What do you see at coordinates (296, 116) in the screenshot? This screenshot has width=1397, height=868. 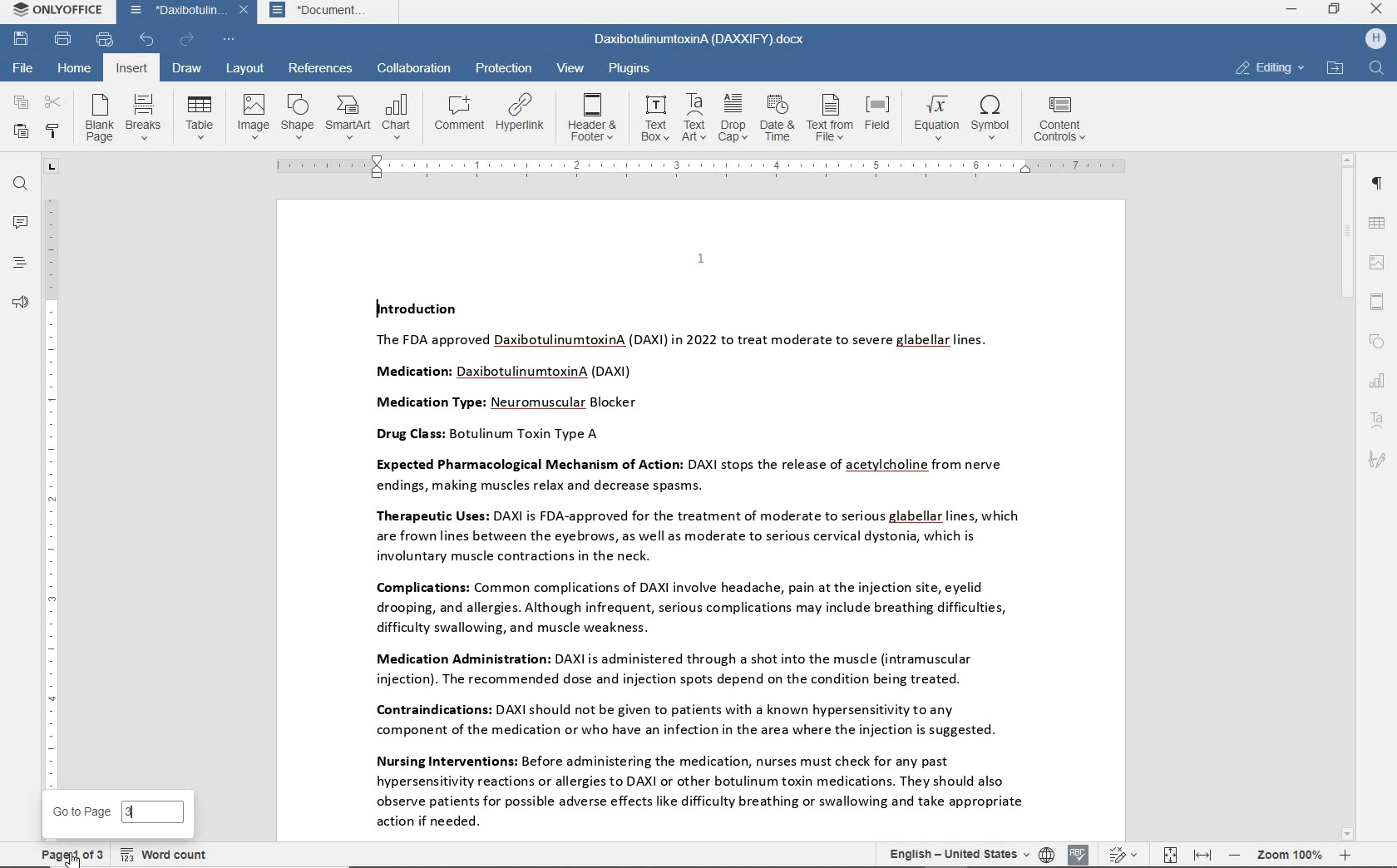 I see `shape` at bounding box center [296, 116].